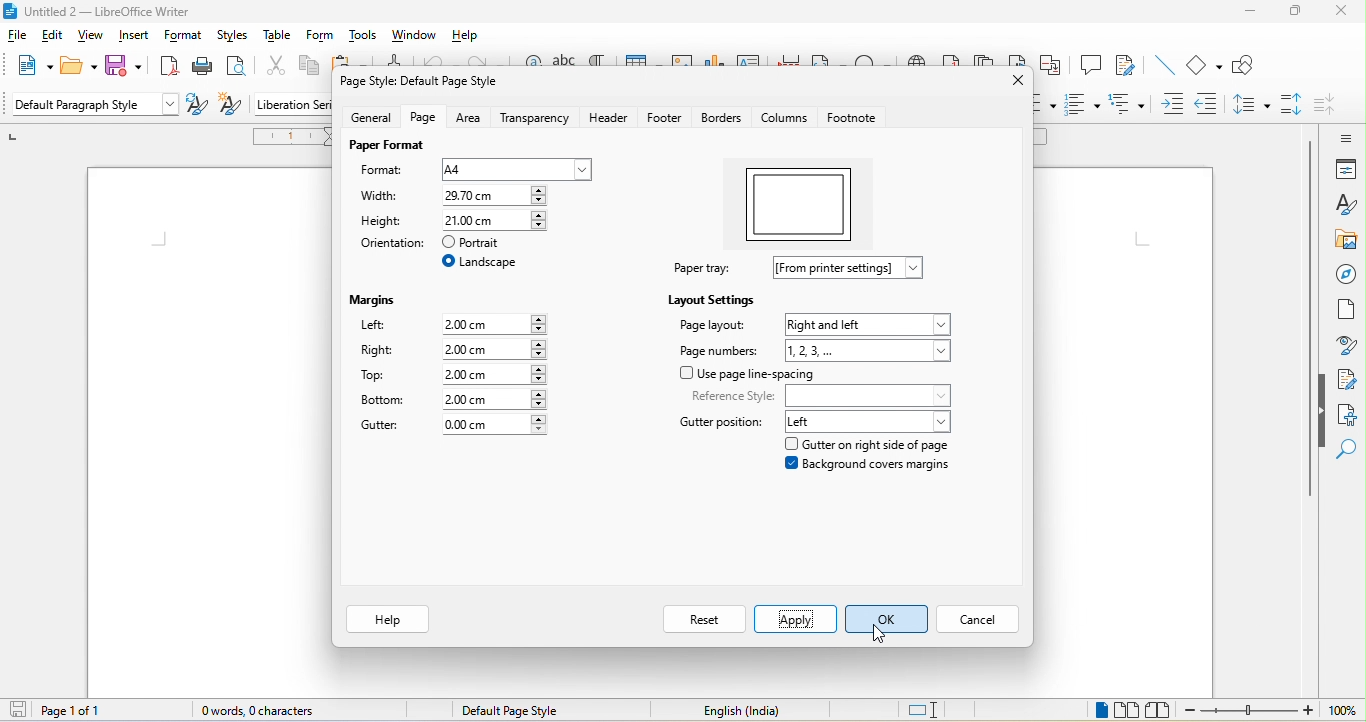  Describe the element at coordinates (1308, 269) in the screenshot. I see `vertical scroll bar` at that location.